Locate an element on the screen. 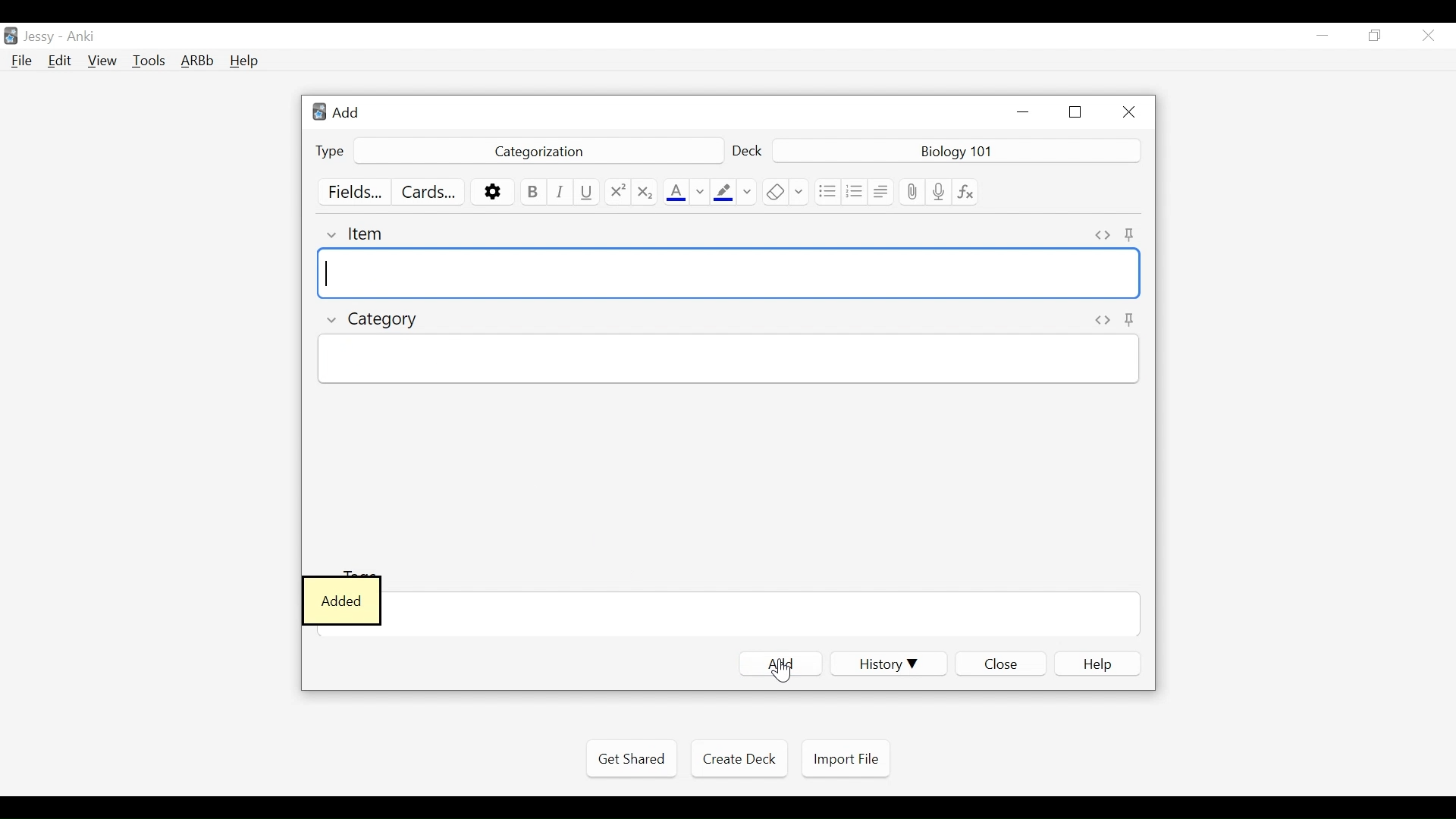  Options is located at coordinates (492, 193).